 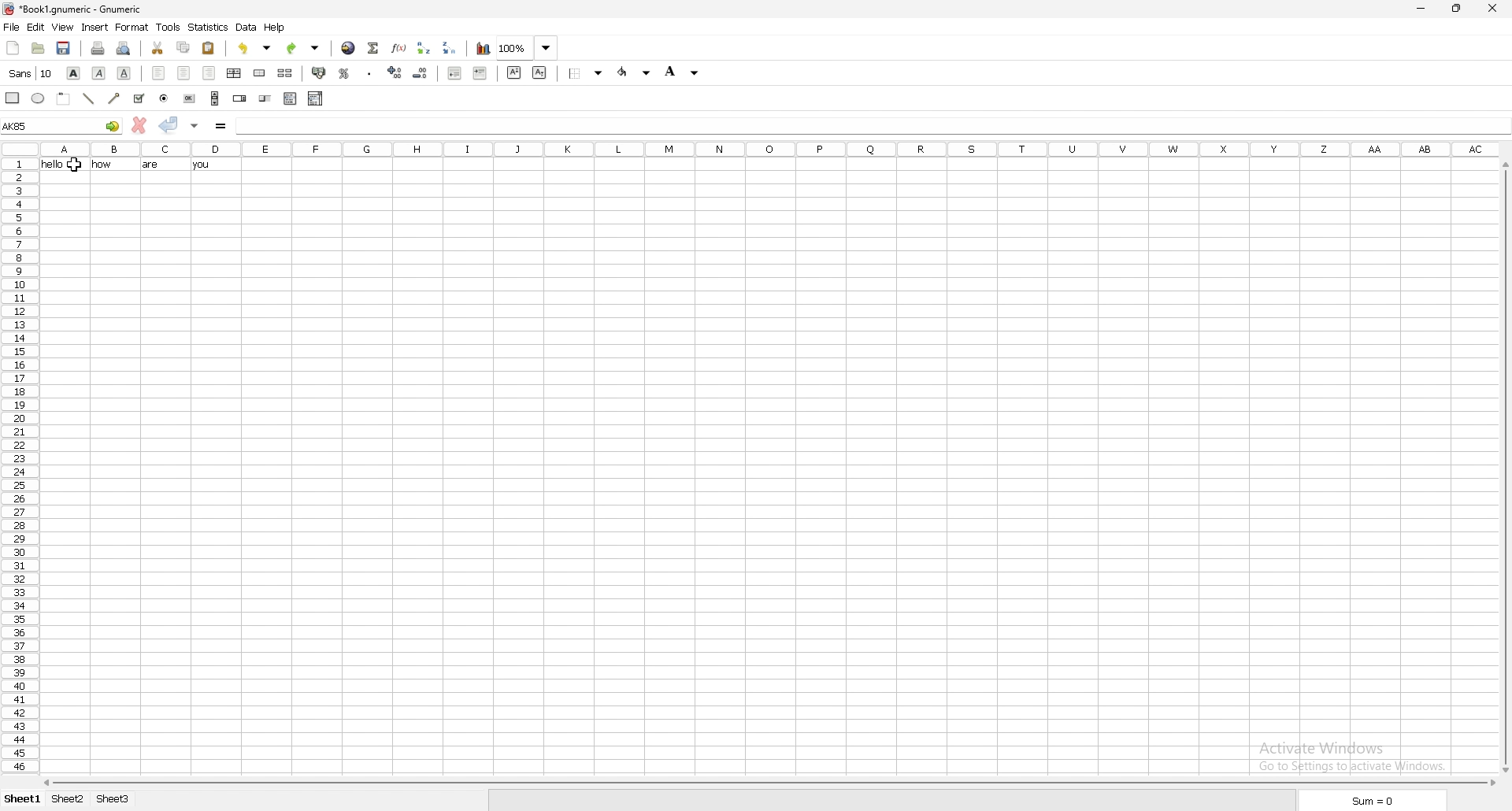 I want to click on accounting, so click(x=321, y=73).